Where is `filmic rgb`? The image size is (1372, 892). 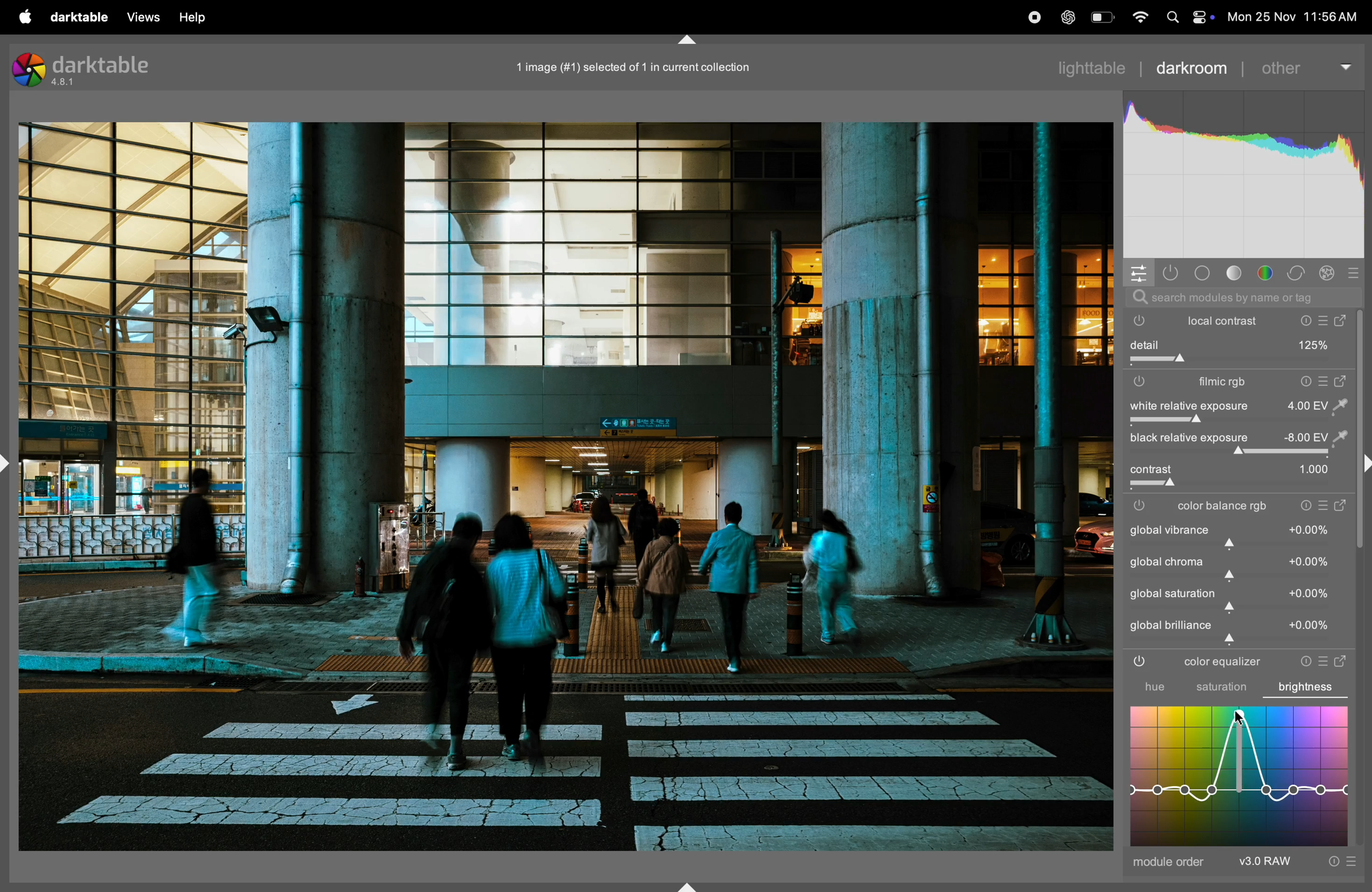 filmic rgb is located at coordinates (1213, 383).